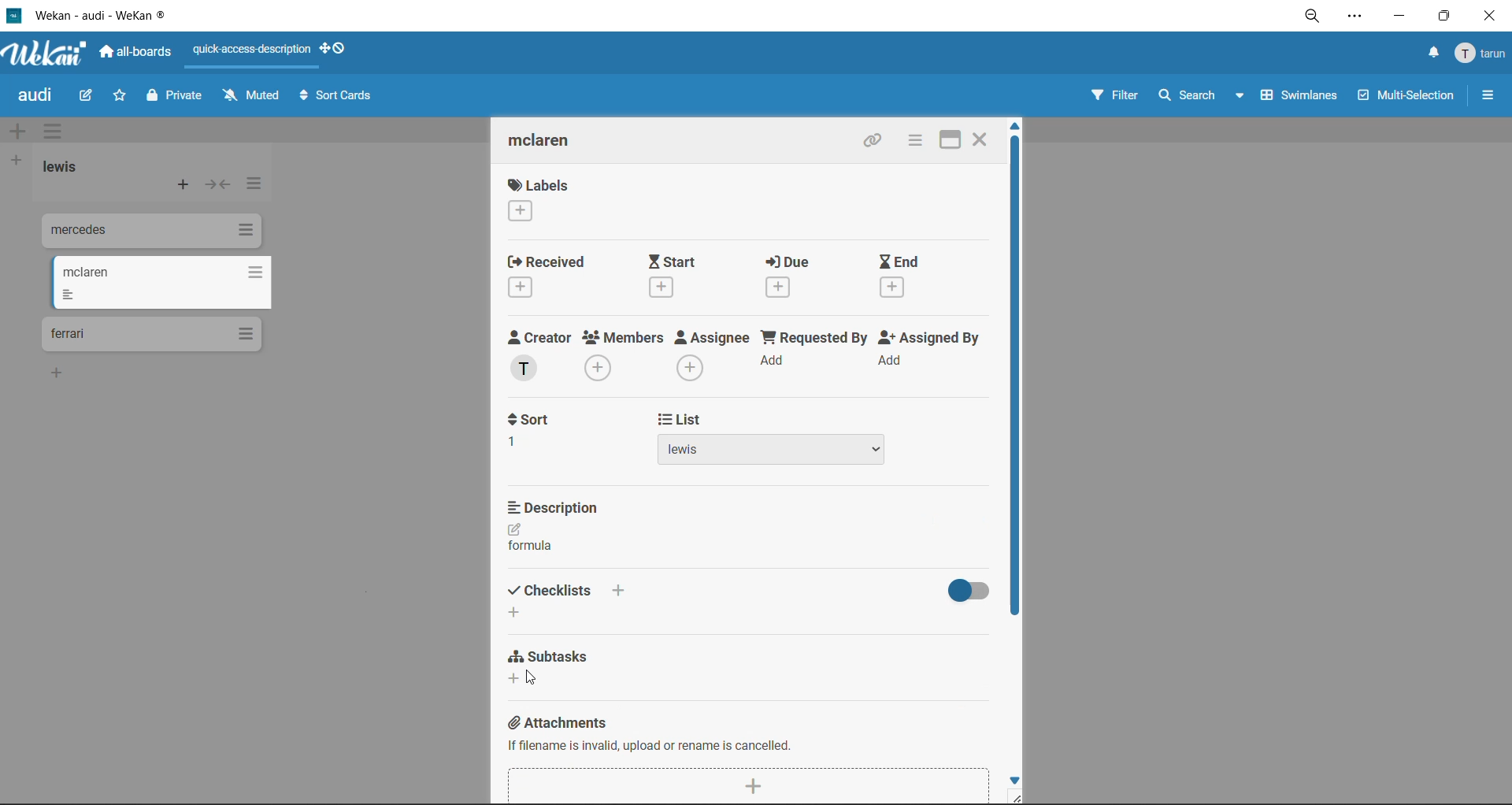 This screenshot has height=805, width=1512. I want to click on app logo, so click(47, 55).